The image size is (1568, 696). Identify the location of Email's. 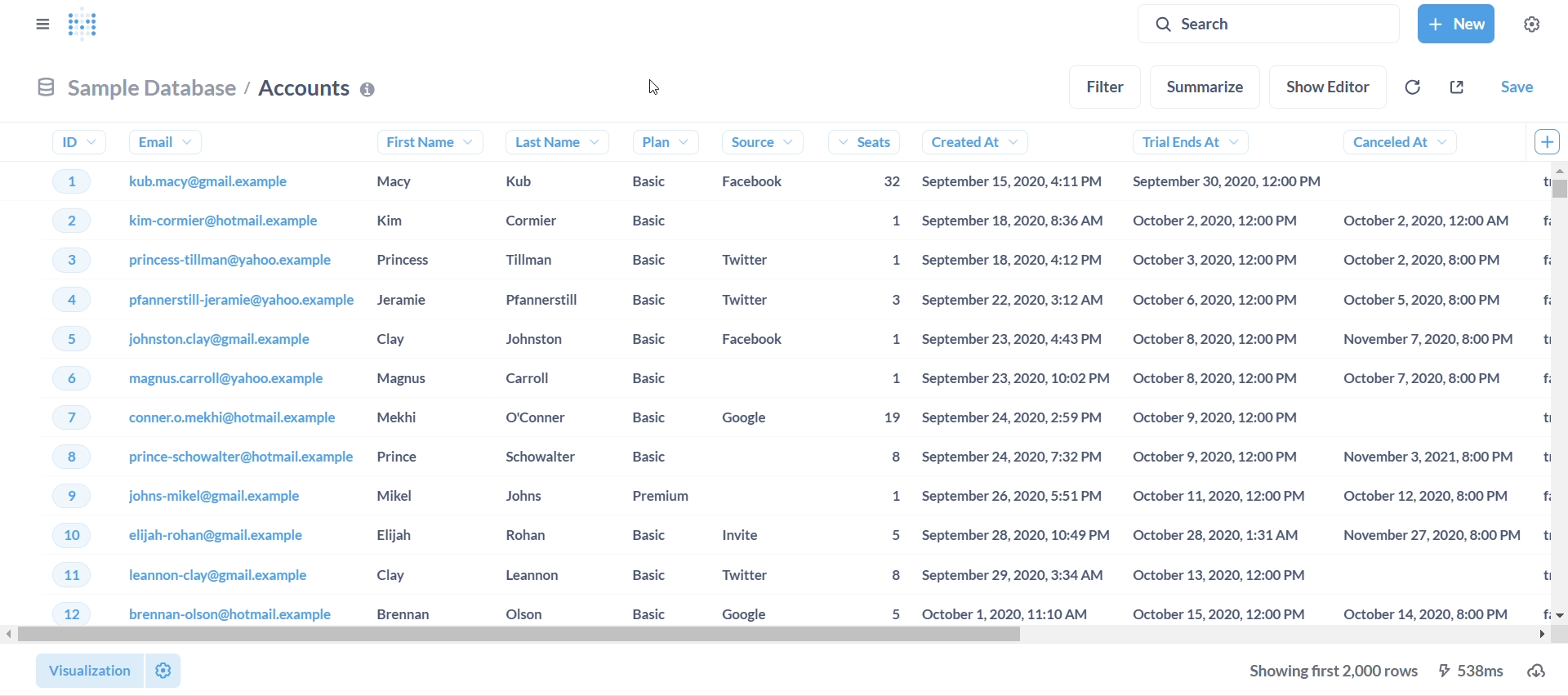
(234, 373).